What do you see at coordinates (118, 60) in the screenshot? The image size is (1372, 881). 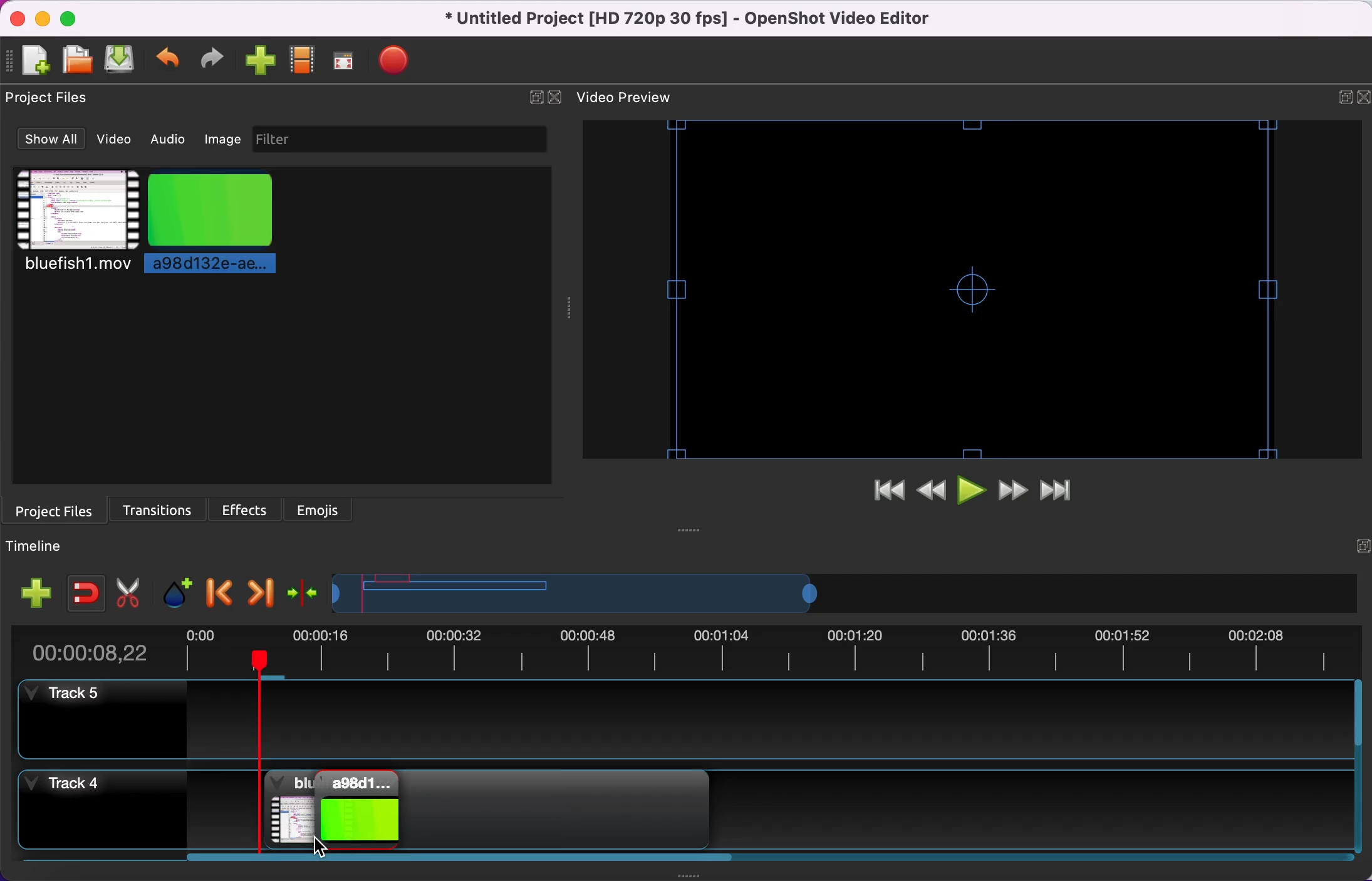 I see `save file` at bounding box center [118, 60].